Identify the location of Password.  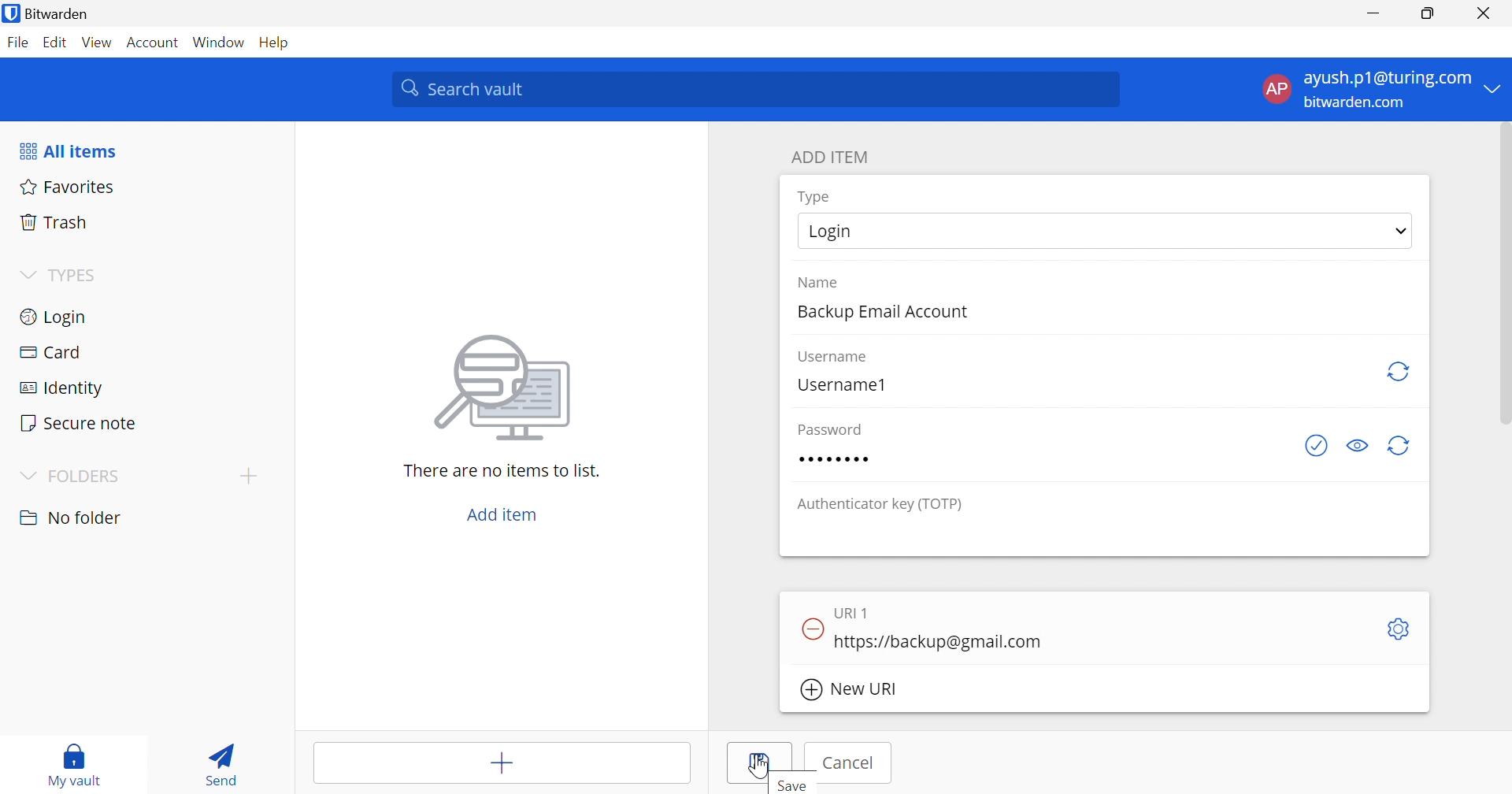
(830, 427).